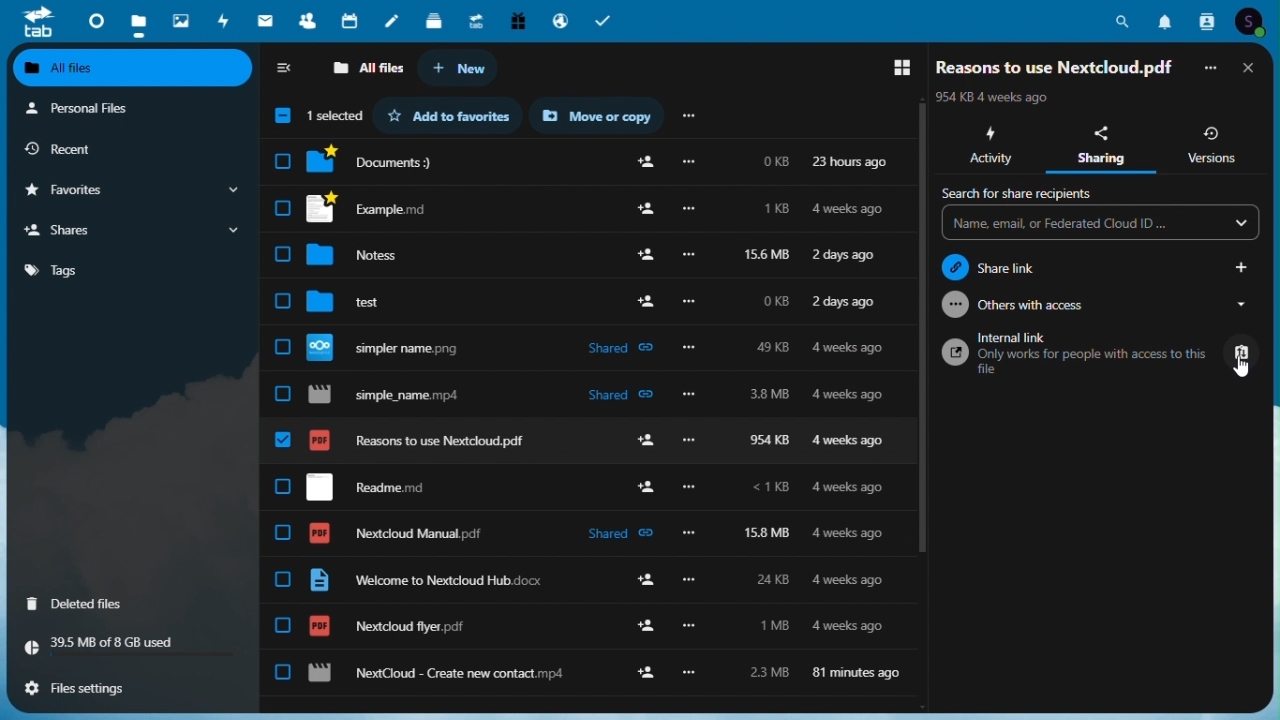 This screenshot has width=1280, height=720. Describe the element at coordinates (689, 162) in the screenshot. I see `more options` at that location.